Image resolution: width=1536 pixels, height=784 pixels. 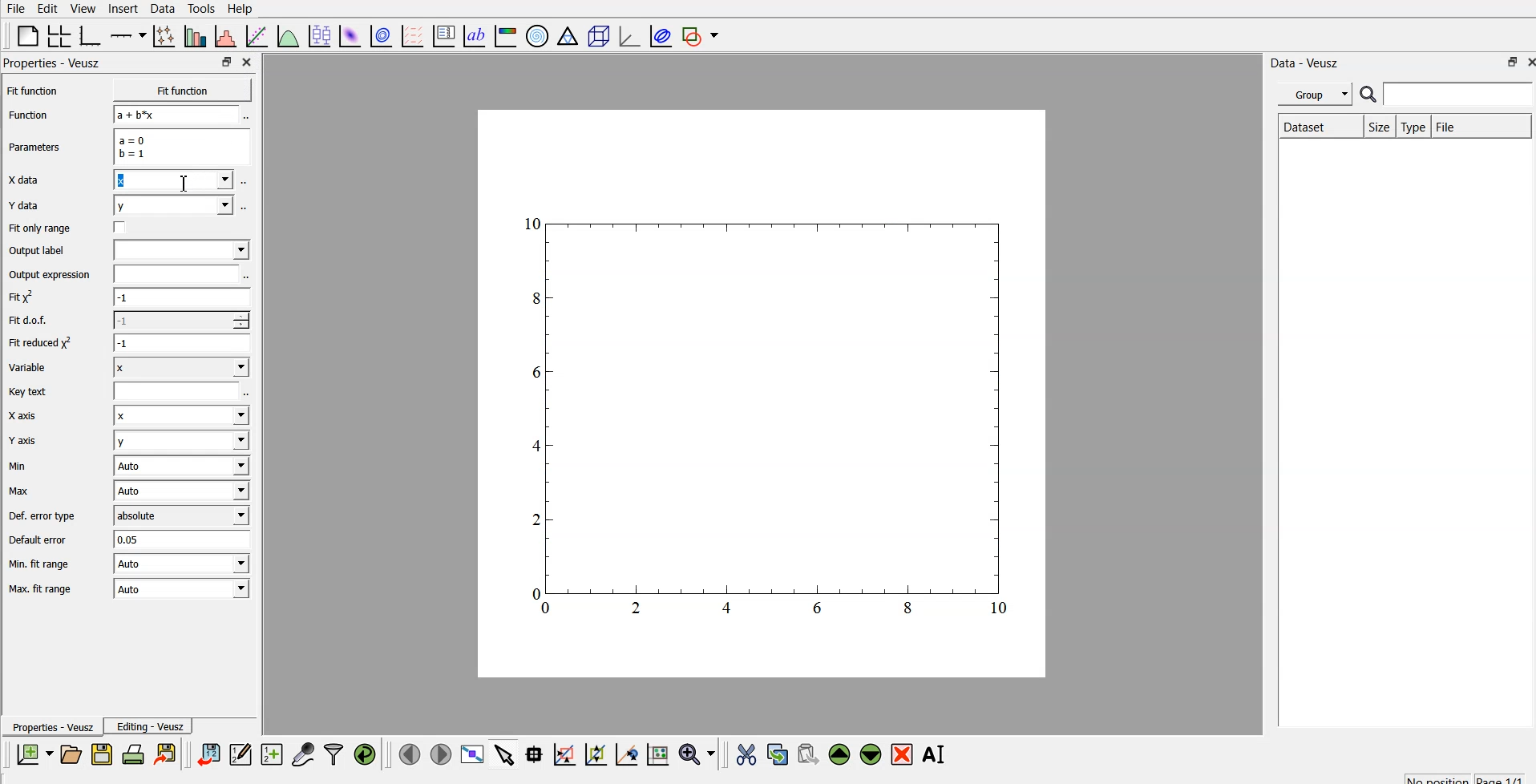 What do you see at coordinates (473, 36) in the screenshot?
I see `text label` at bounding box center [473, 36].